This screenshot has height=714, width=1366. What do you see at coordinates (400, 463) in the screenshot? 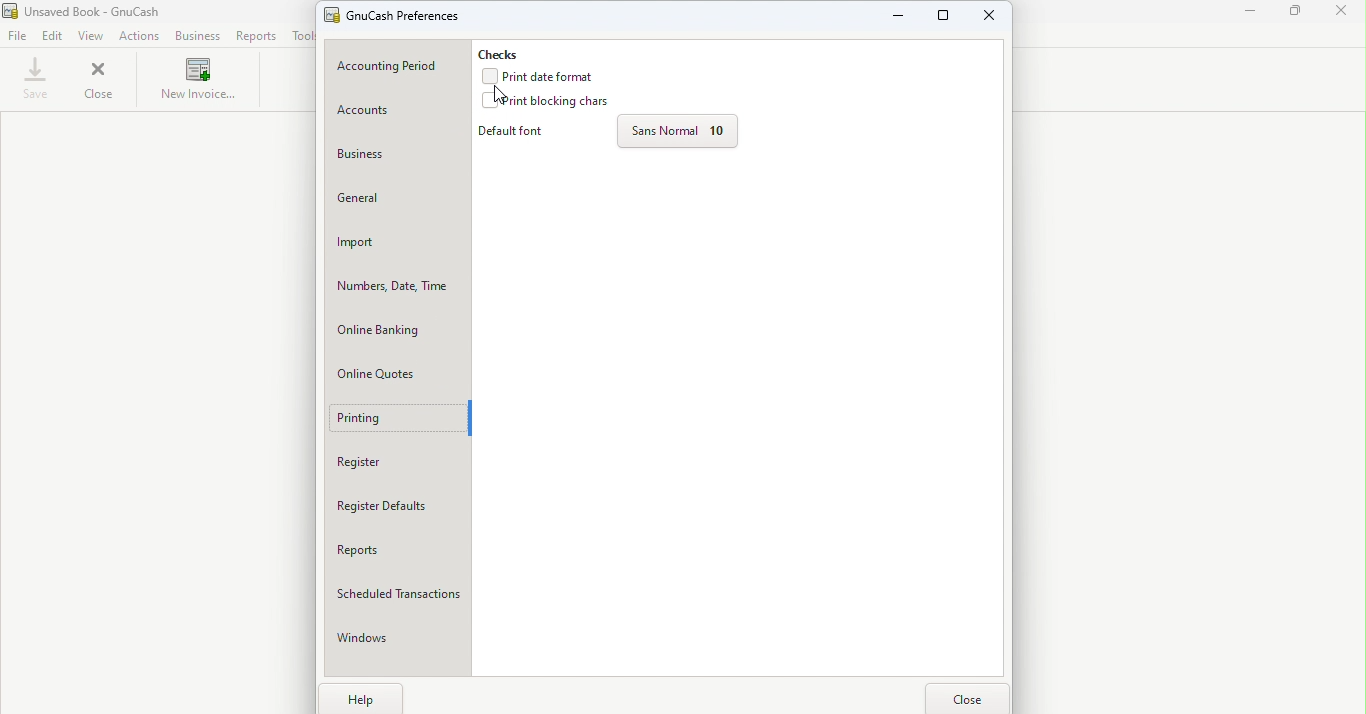
I see `Register` at bounding box center [400, 463].